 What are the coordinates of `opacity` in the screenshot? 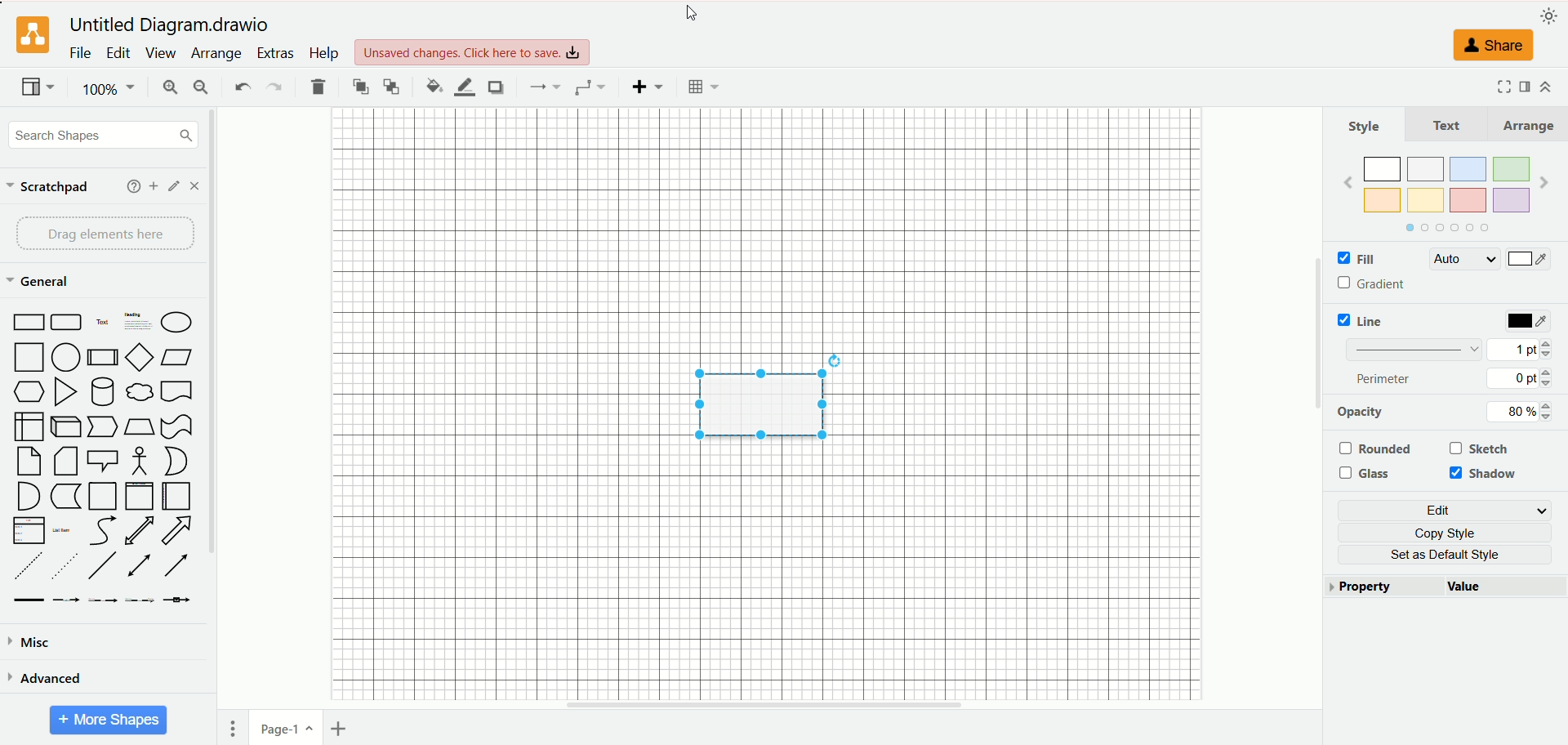 It's located at (1361, 412).